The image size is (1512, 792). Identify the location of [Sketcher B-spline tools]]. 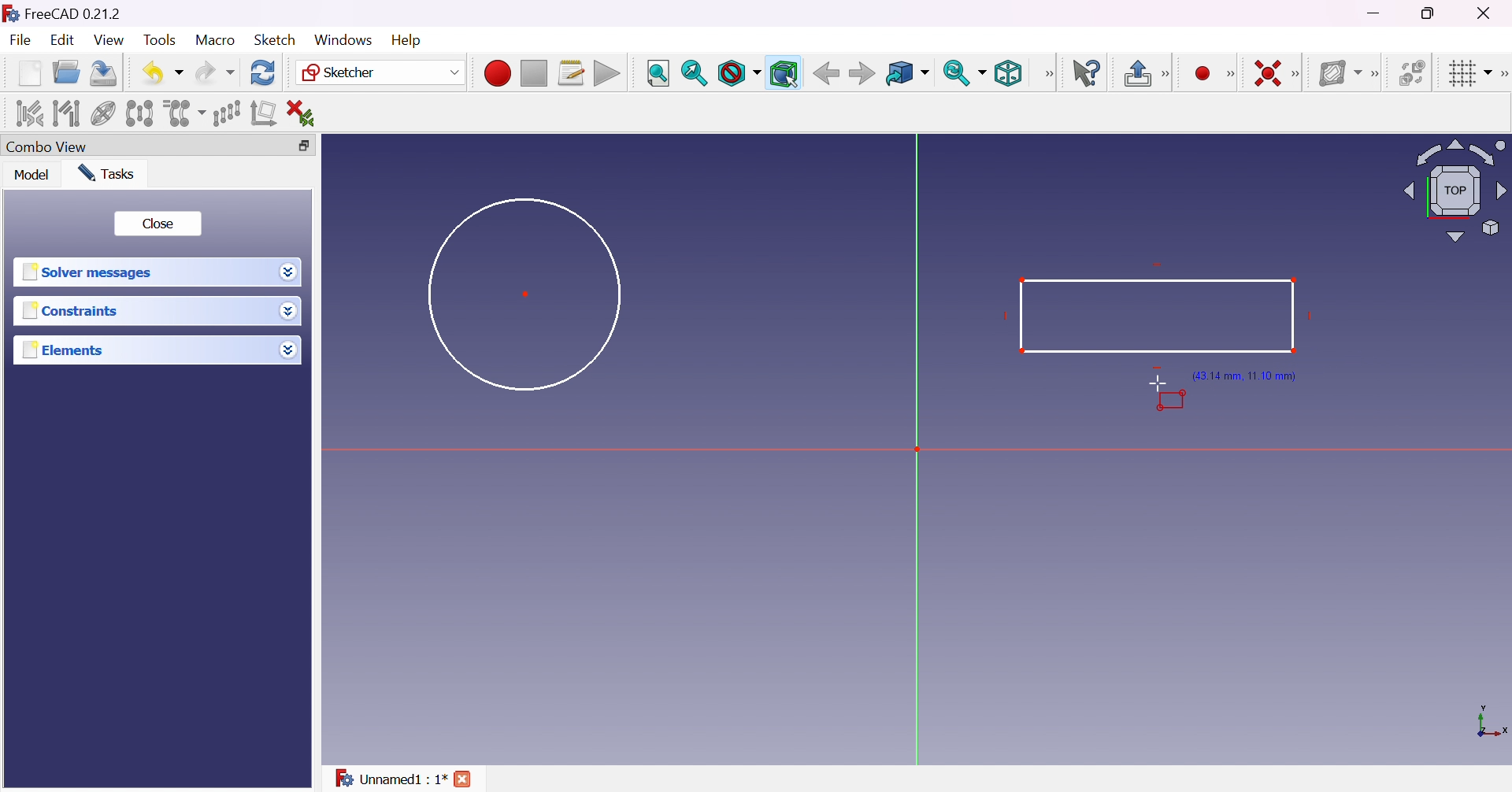
(1379, 74).